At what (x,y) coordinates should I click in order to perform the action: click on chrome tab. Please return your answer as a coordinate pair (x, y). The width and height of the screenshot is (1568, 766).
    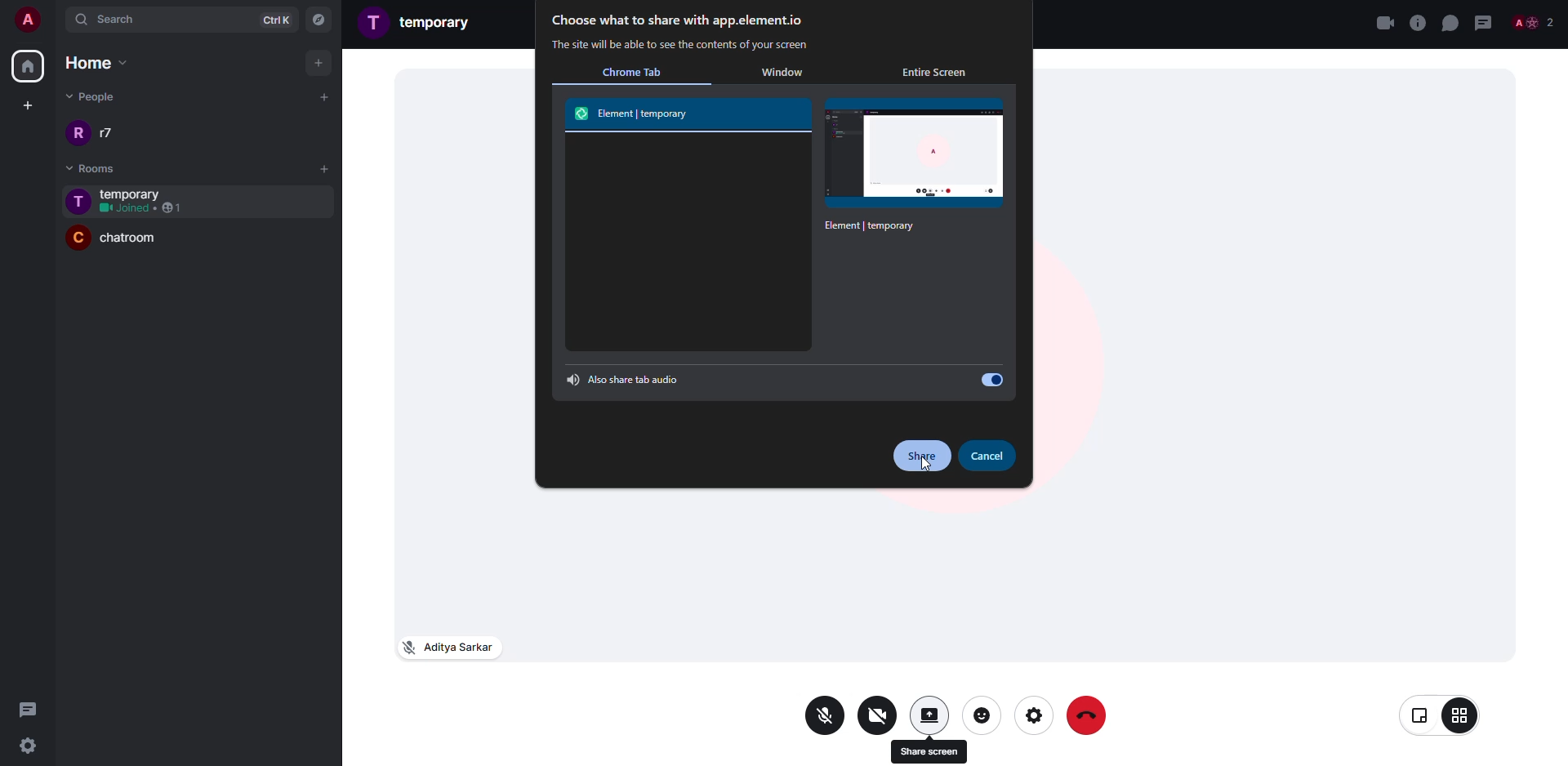
    Looking at the image, I should click on (631, 72).